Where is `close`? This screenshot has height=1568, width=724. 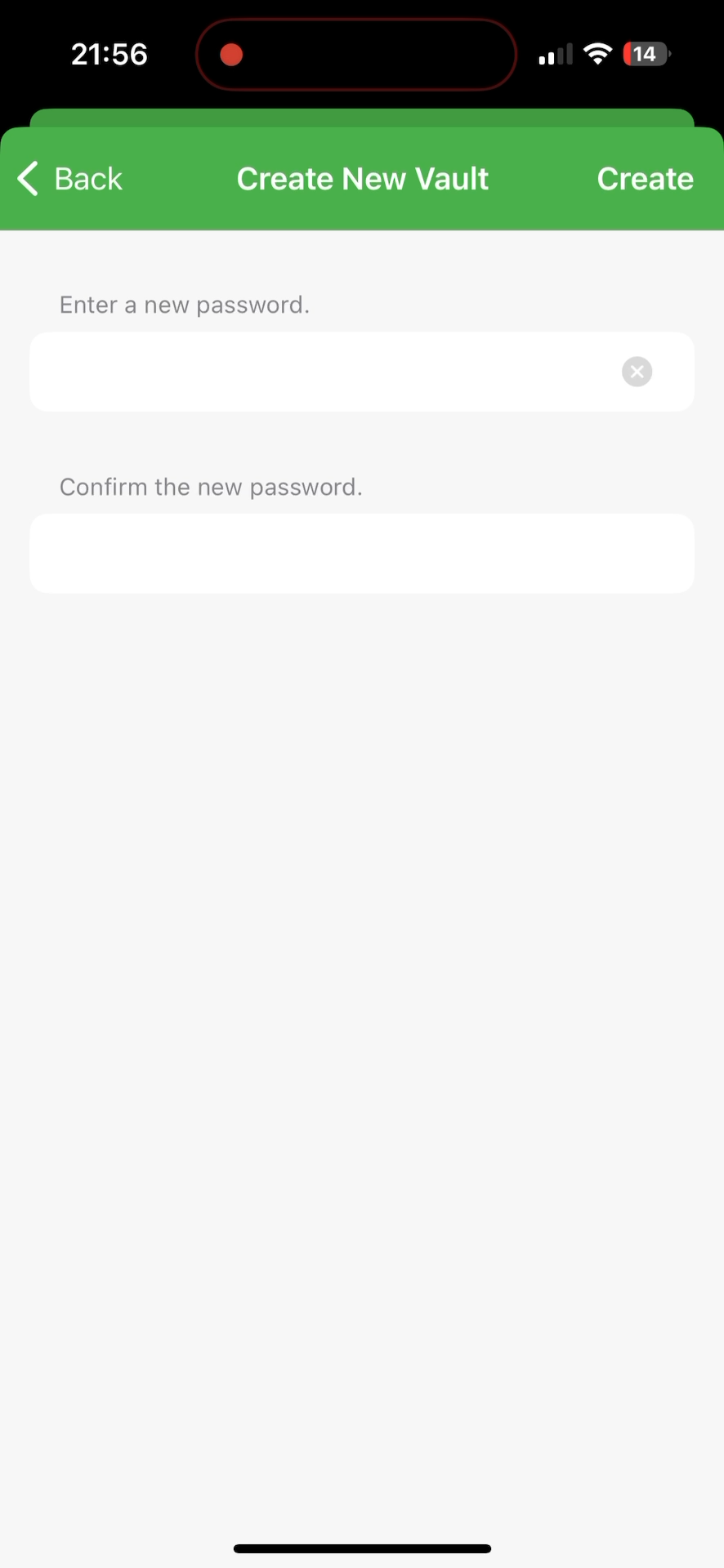 close is located at coordinates (646, 371).